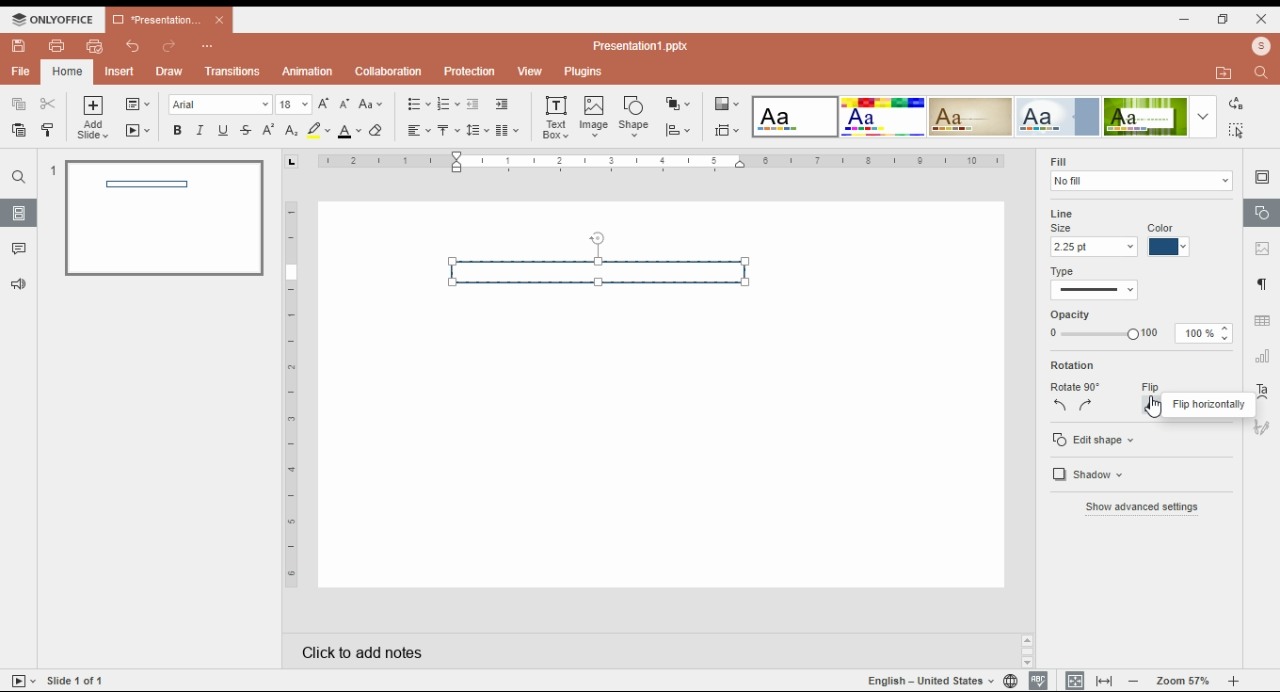 This screenshot has height=692, width=1280. I want to click on close, so click(220, 20).